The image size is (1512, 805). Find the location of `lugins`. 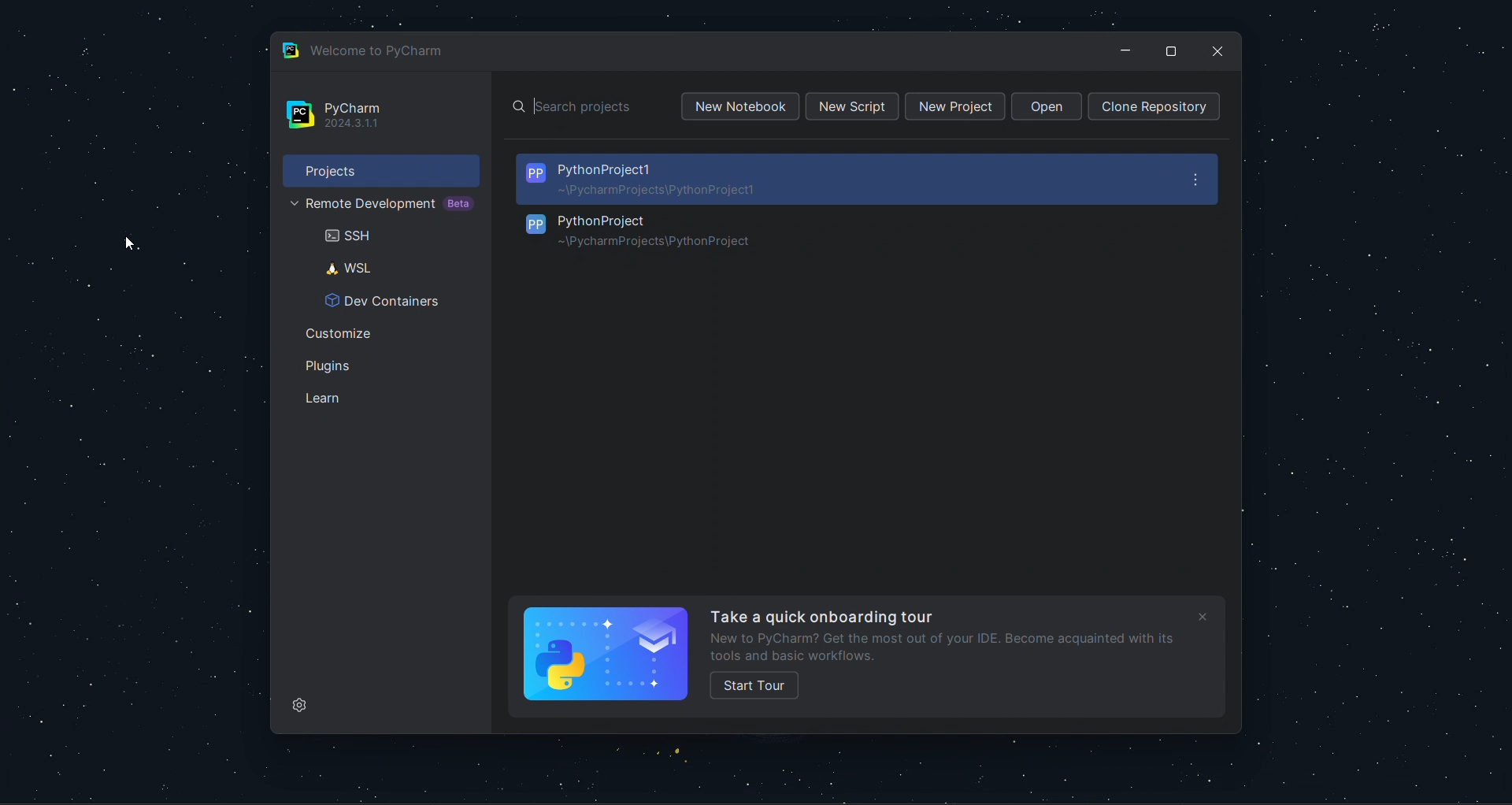

lugins is located at coordinates (379, 368).